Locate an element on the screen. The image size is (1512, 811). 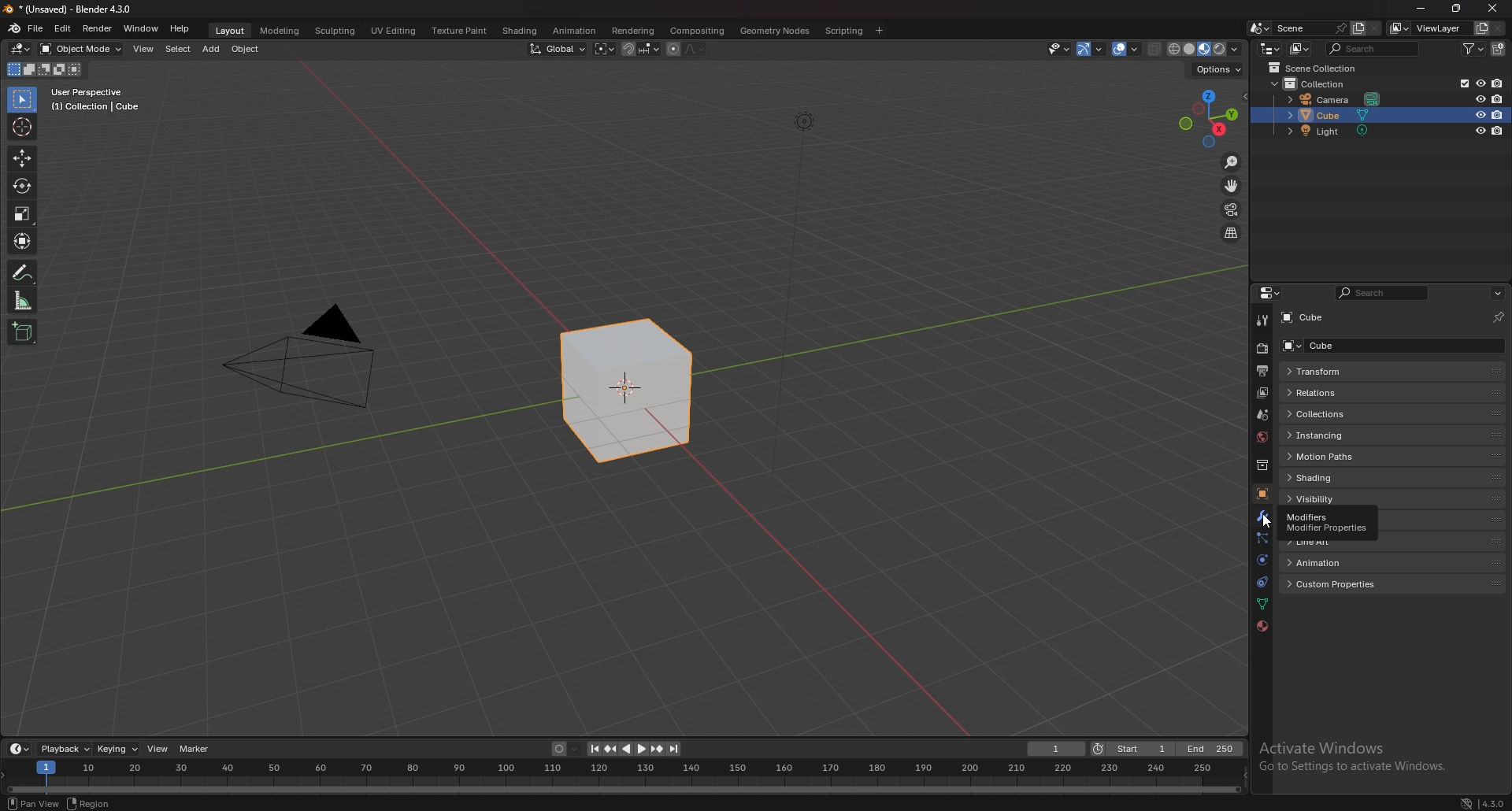
hide in viewport is located at coordinates (1480, 115).